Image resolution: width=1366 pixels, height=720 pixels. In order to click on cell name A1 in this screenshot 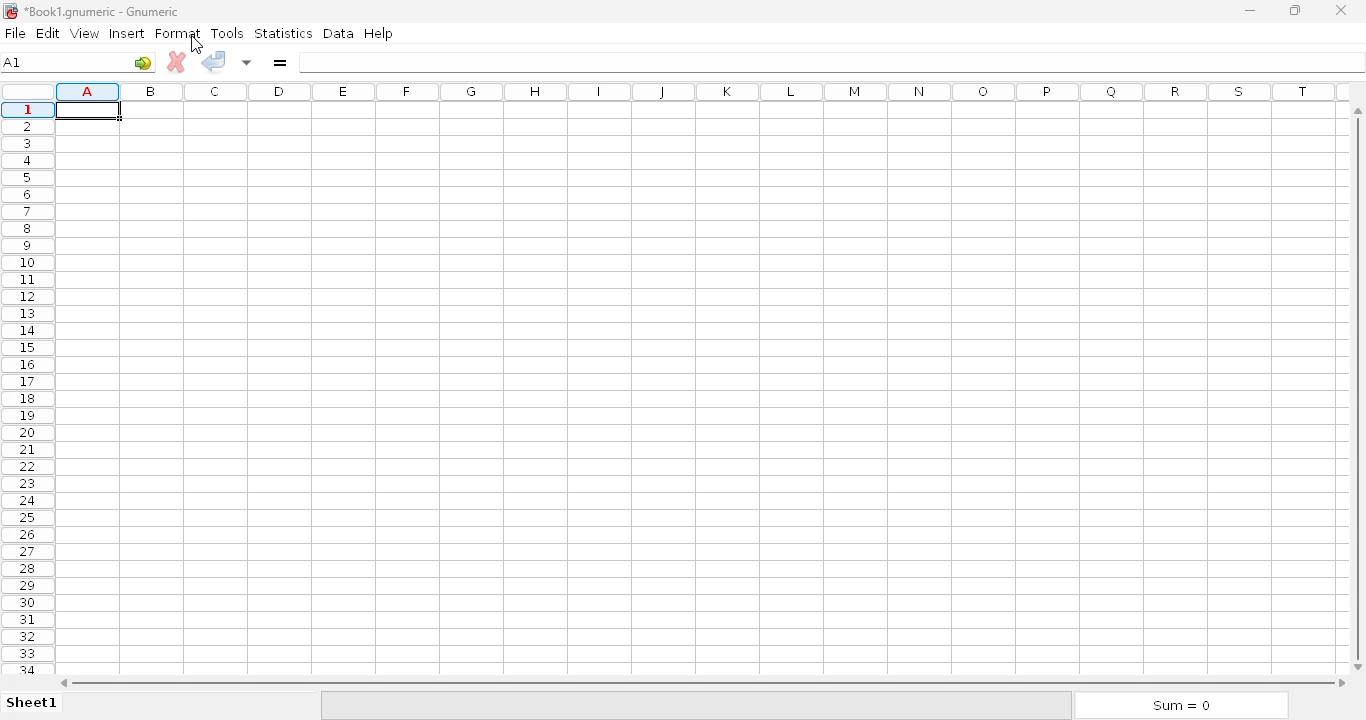, I will do `click(13, 62)`.